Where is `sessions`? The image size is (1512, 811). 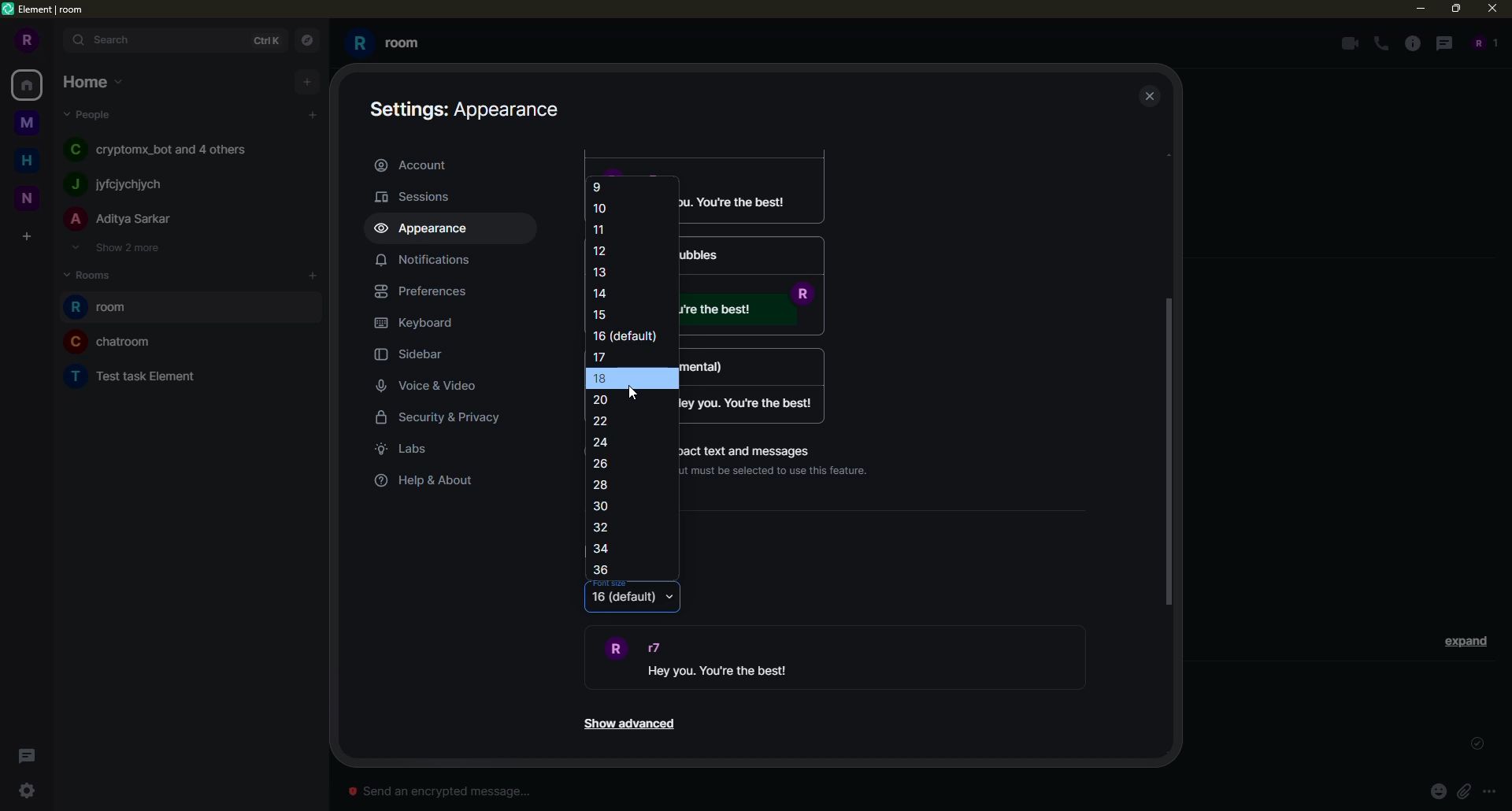
sessions is located at coordinates (422, 196).